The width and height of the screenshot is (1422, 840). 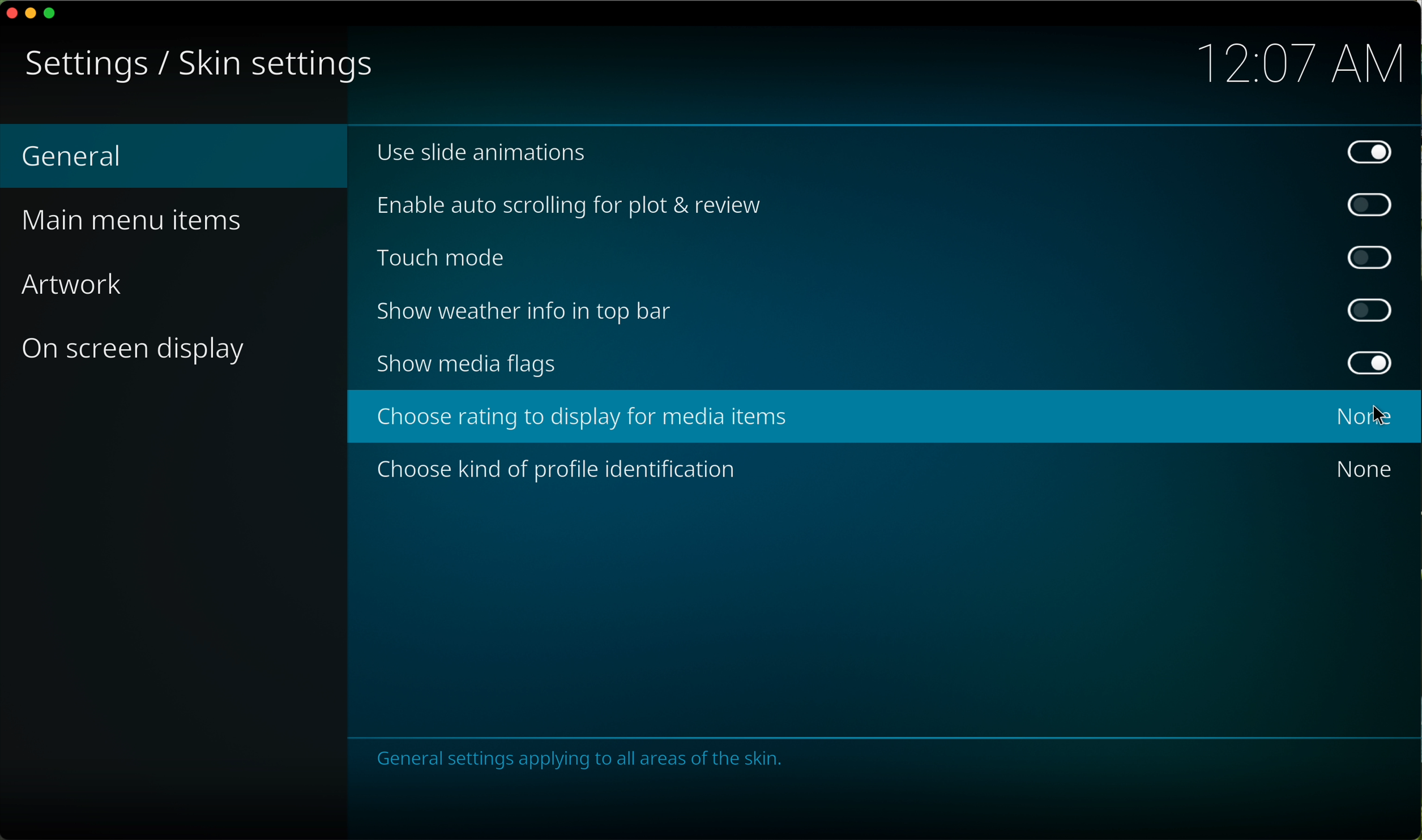 I want to click on maximize, so click(x=53, y=13).